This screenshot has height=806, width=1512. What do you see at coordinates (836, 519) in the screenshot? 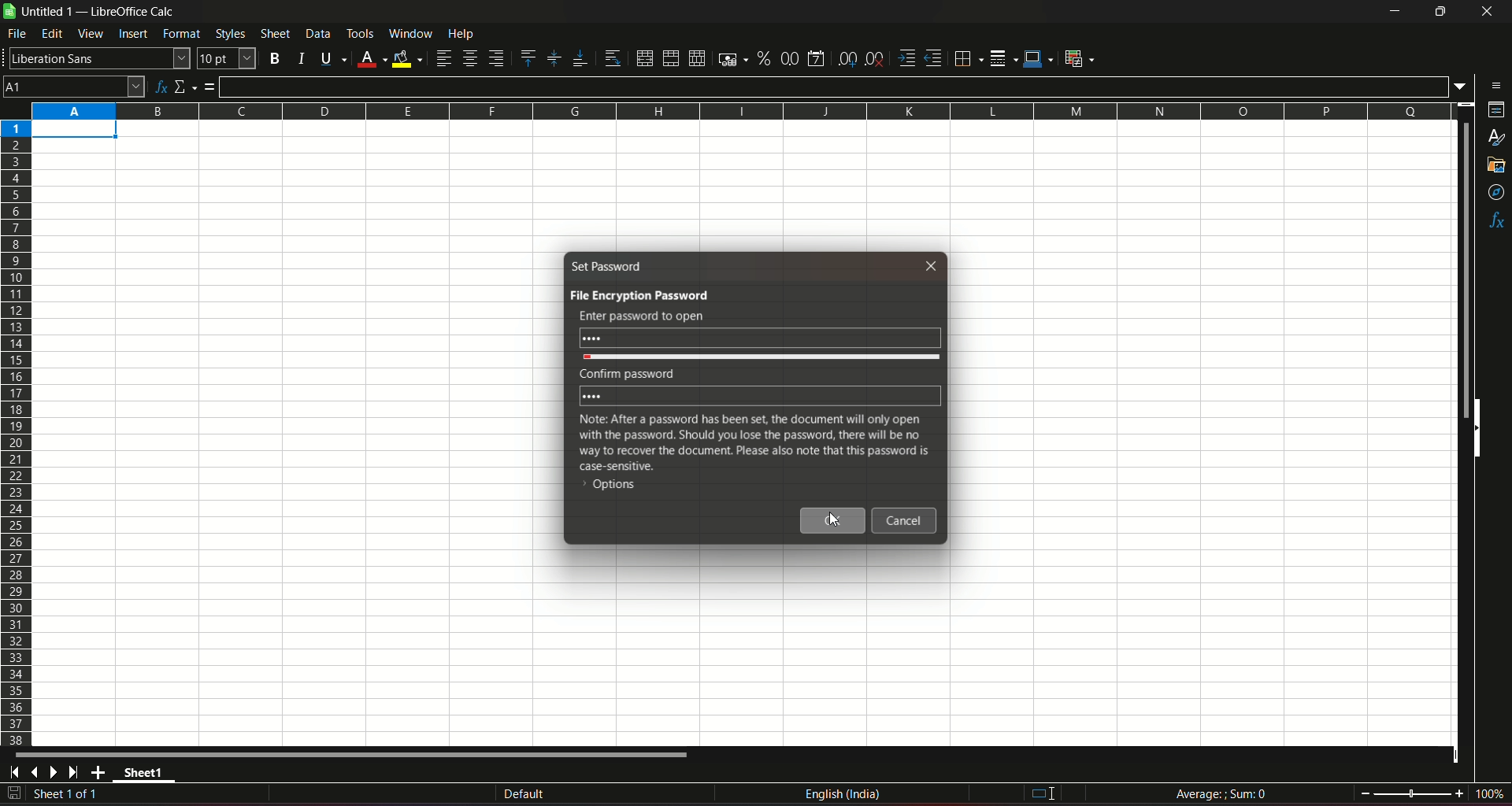
I see `Cursor` at bounding box center [836, 519].